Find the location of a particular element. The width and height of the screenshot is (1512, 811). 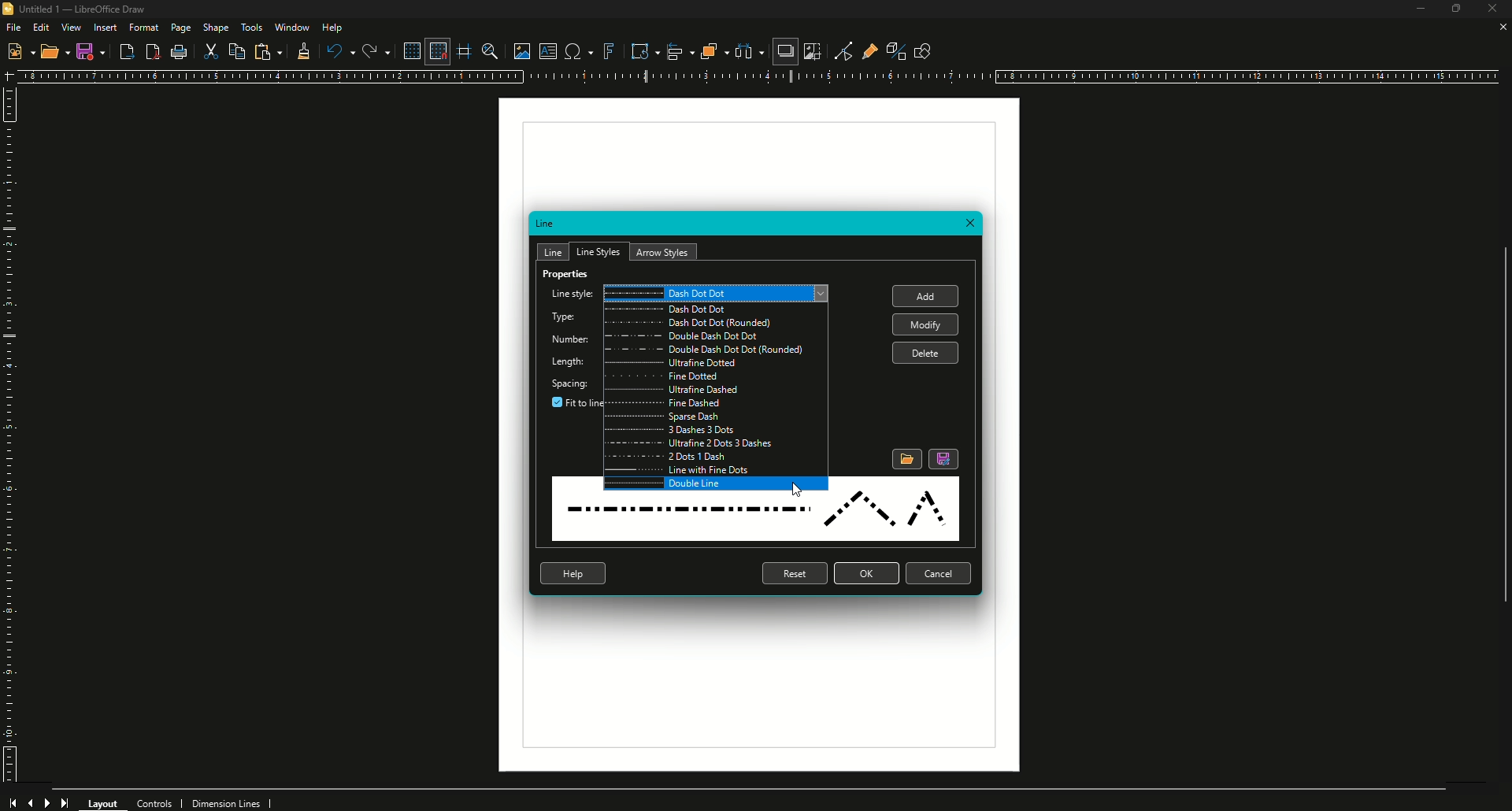

File is located at coordinates (13, 27).